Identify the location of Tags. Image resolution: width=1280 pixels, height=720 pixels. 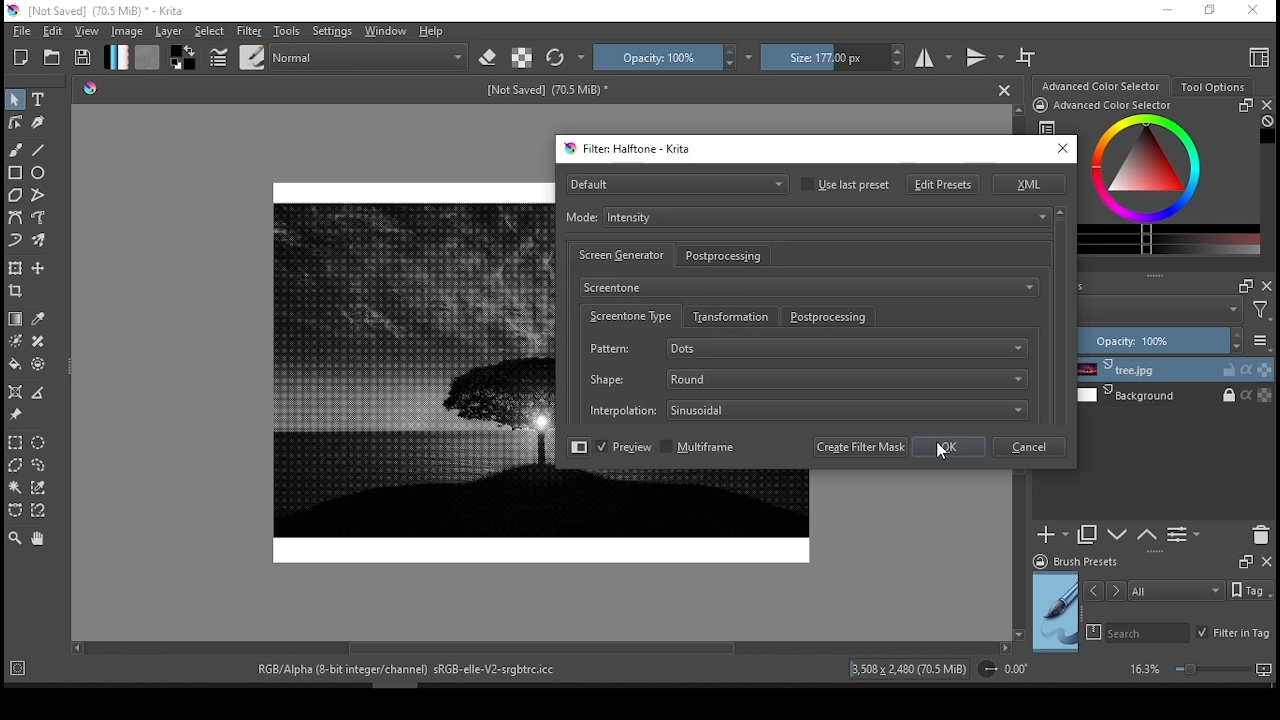
(1252, 589).